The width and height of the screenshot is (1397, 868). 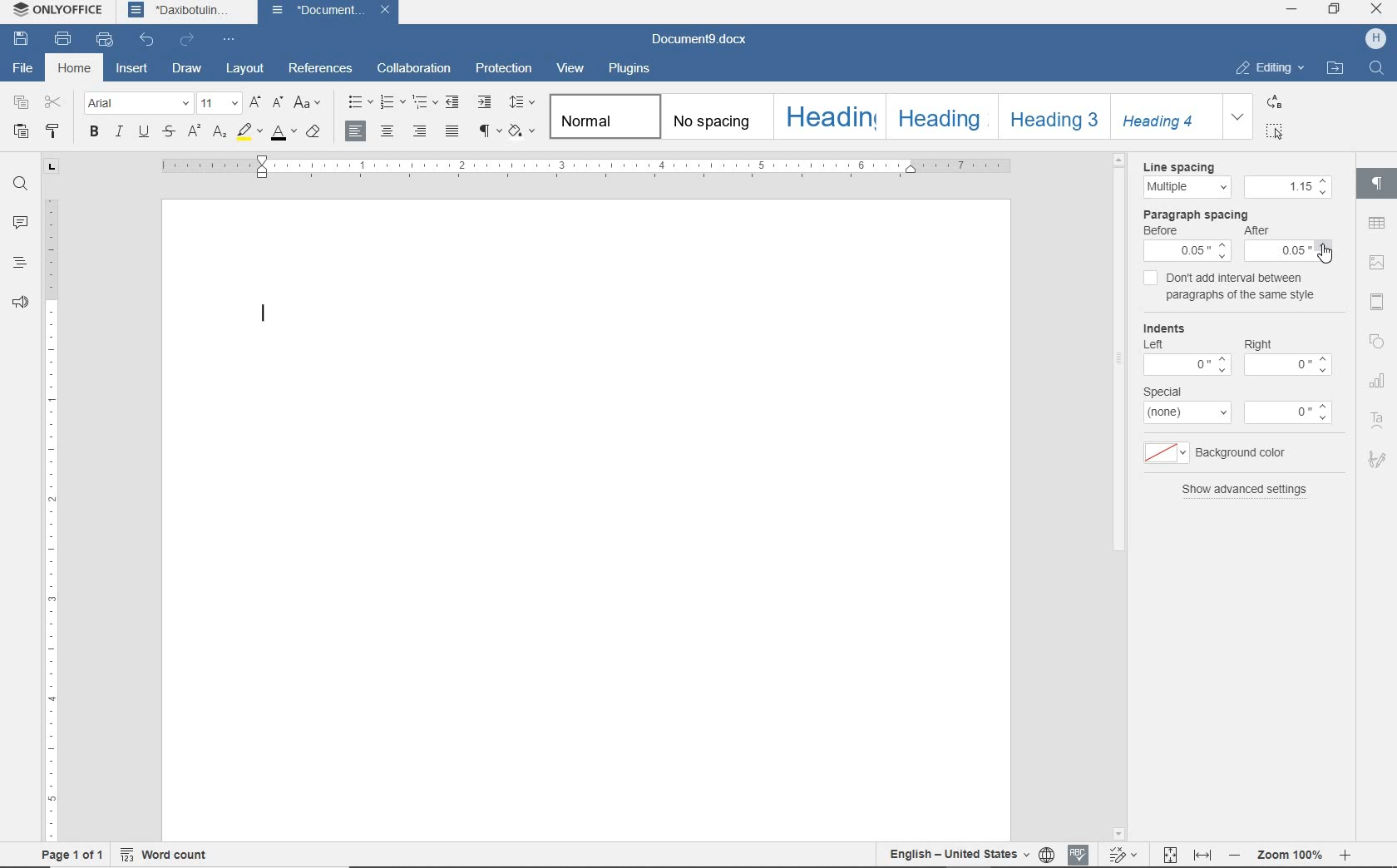 What do you see at coordinates (1378, 72) in the screenshot?
I see `FIND` at bounding box center [1378, 72].